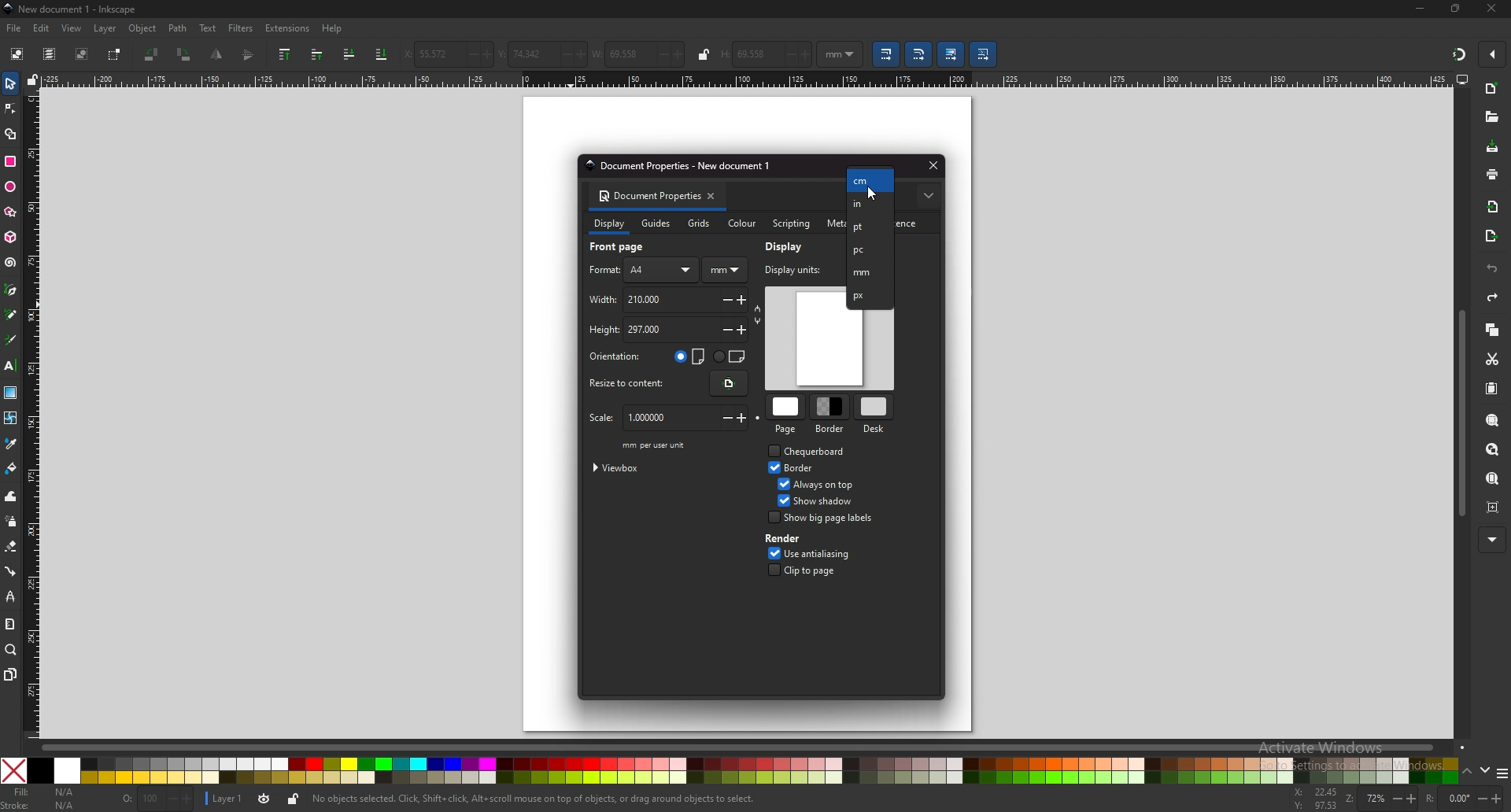  Describe the element at coordinates (331, 29) in the screenshot. I see `help` at that location.